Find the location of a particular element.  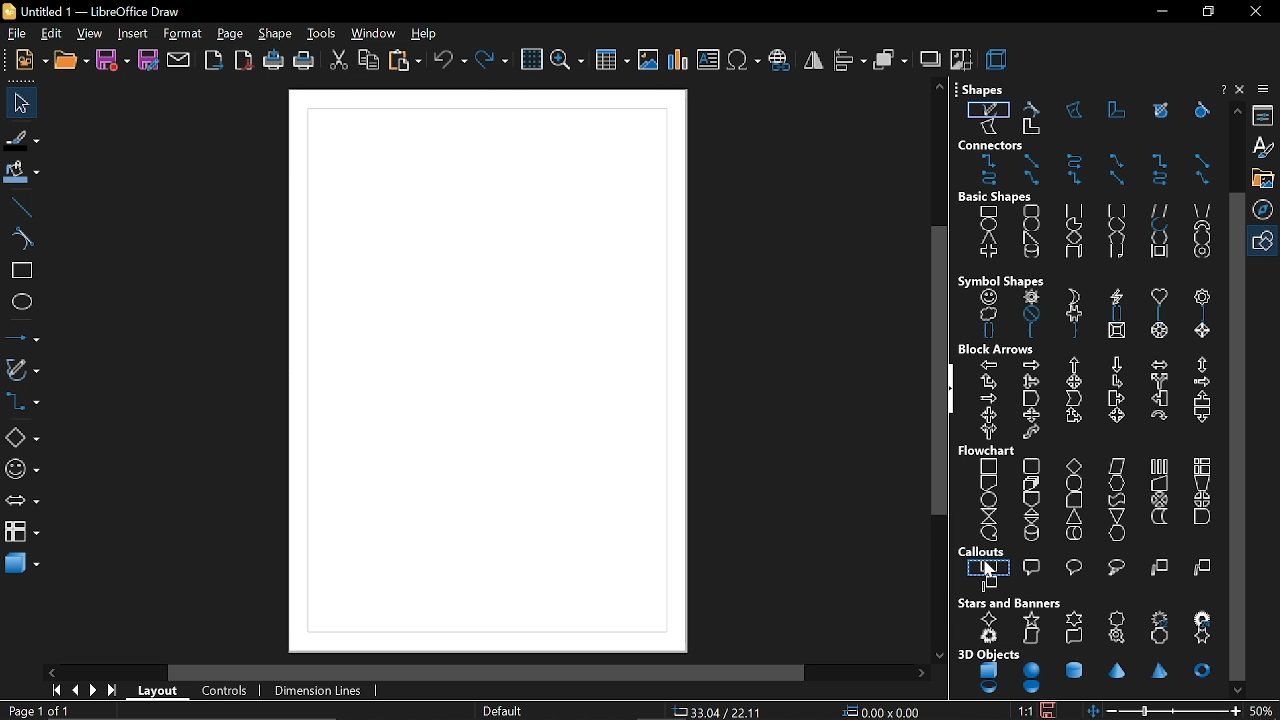

double bracket is located at coordinates (1115, 316).